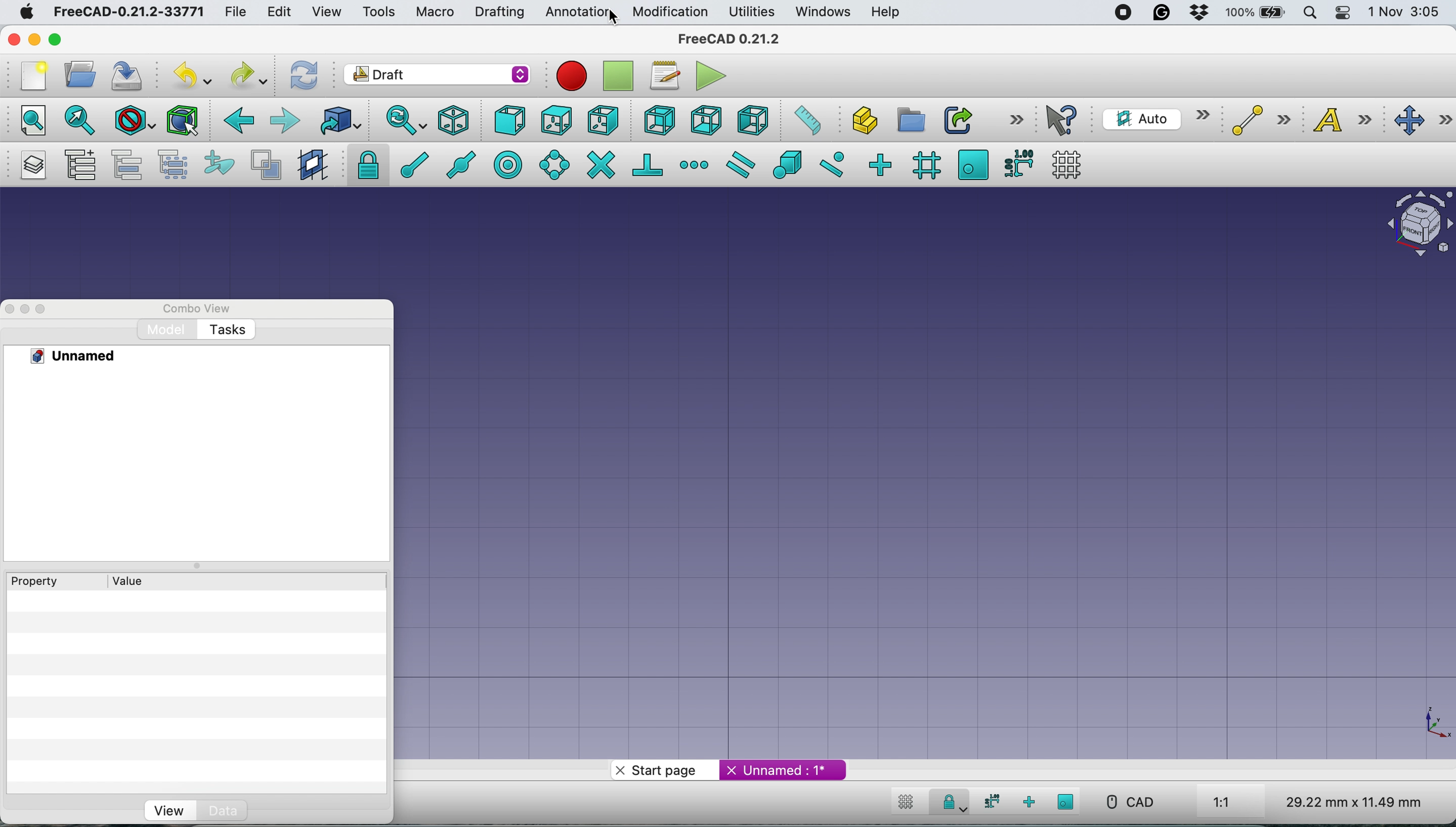 Image resolution: width=1456 pixels, height=827 pixels. I want to click on freecad, so click(735, 40).